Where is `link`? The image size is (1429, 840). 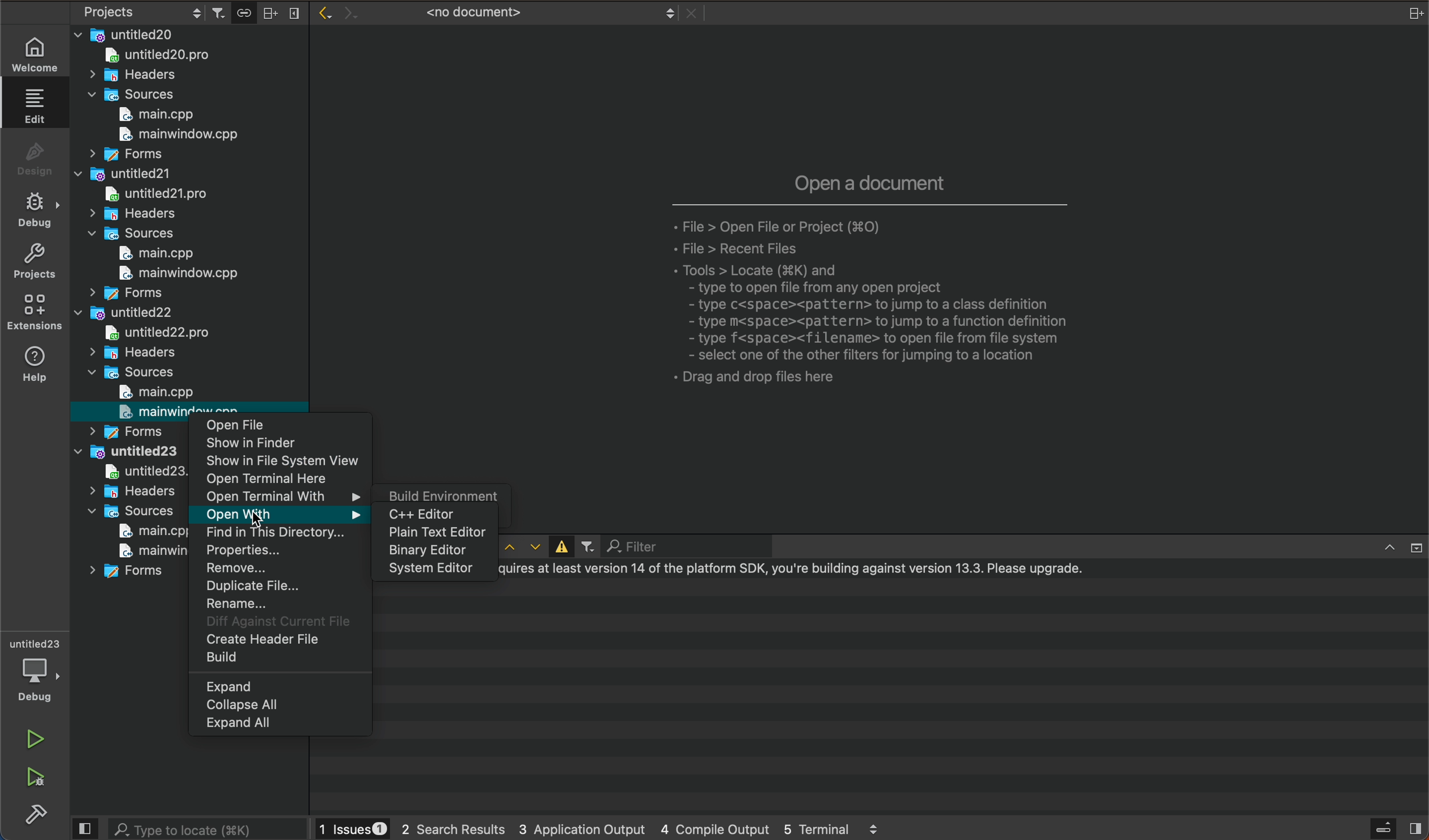
link is located at coordinates (243, 11).